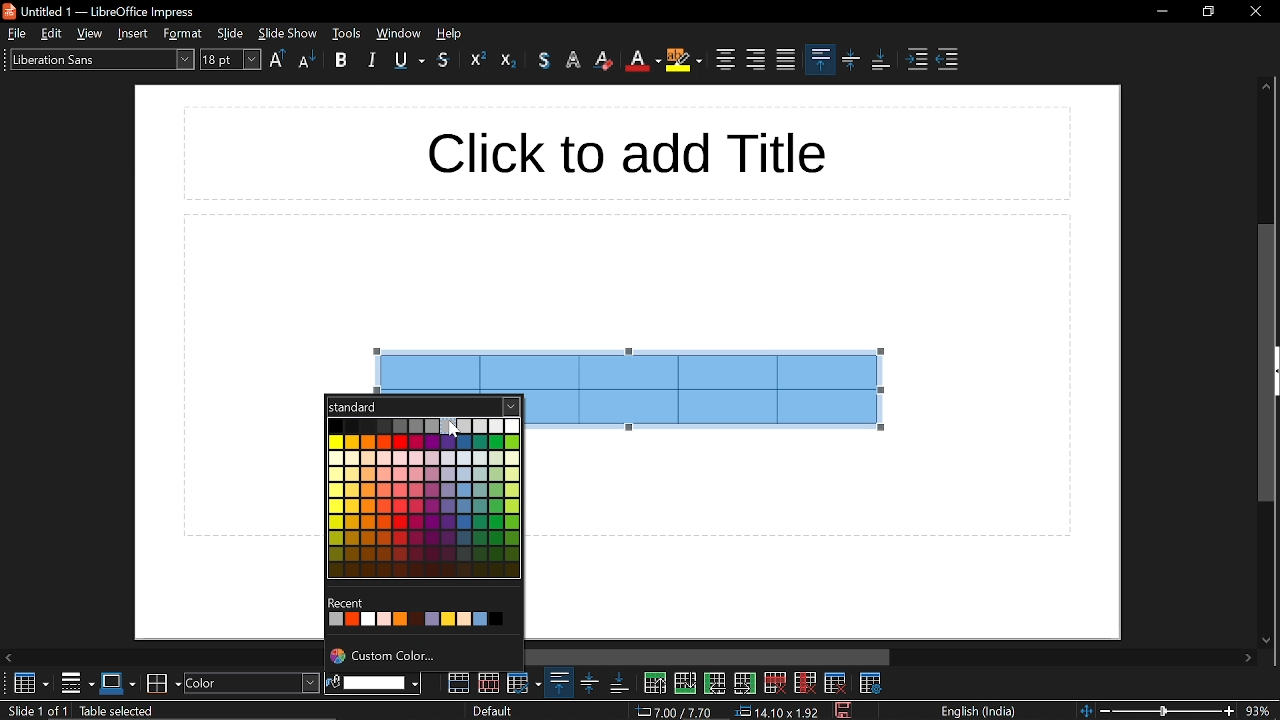 The image size is (1280, 720). I want to click on text style, so click(102, 58).